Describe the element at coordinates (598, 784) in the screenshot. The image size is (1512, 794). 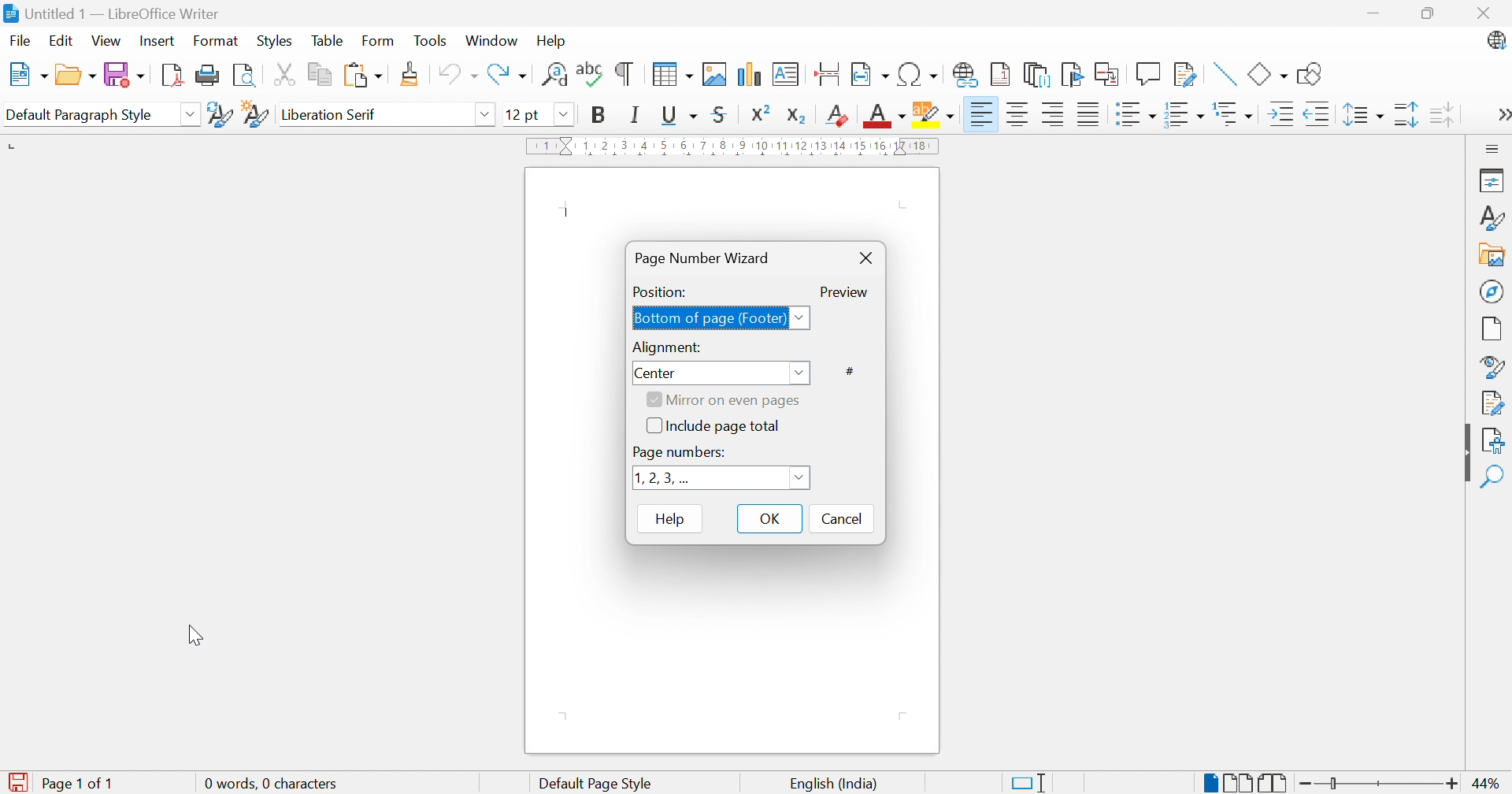
I see `Default page style` at that location.